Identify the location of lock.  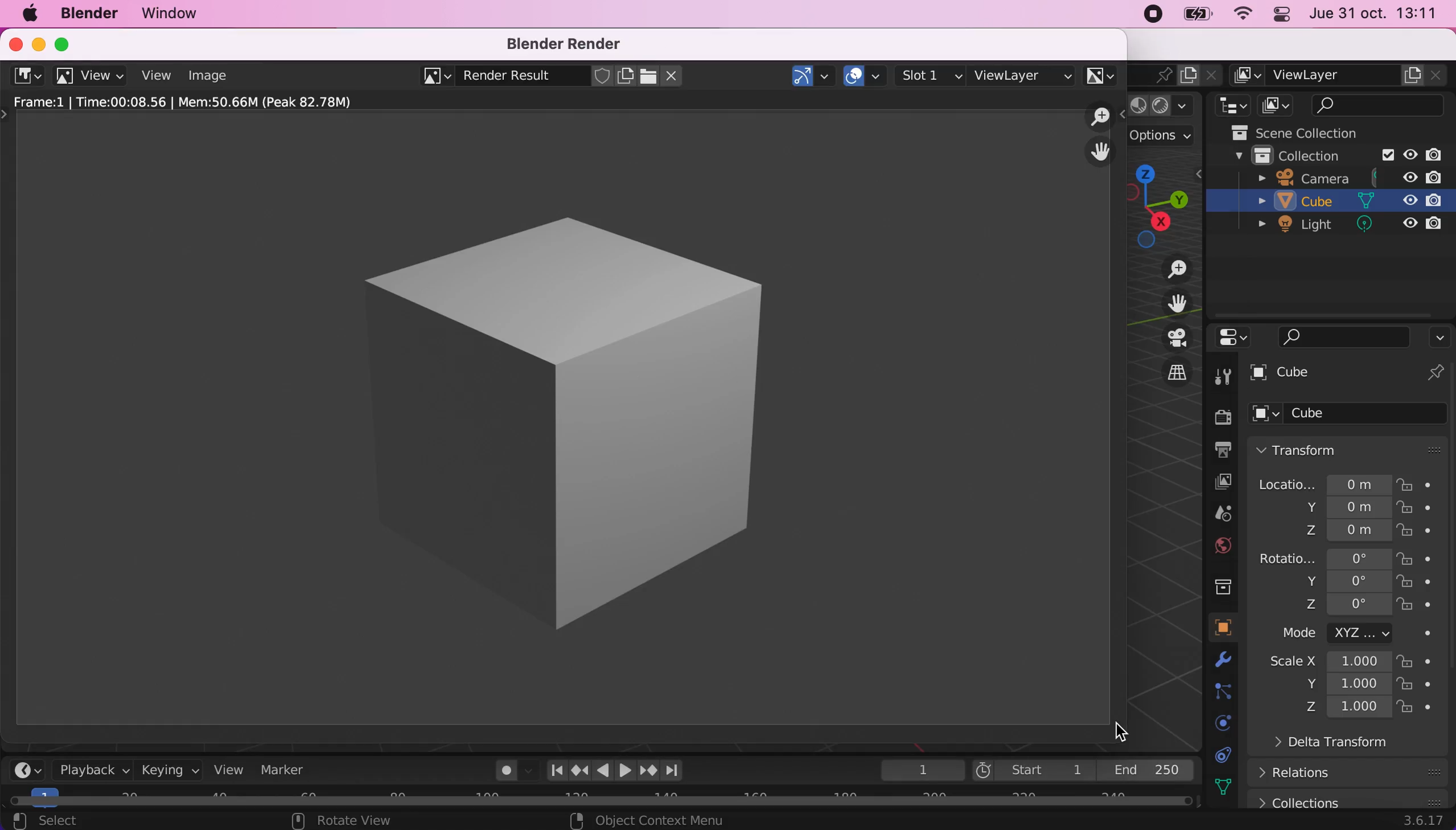
(1416, 533).